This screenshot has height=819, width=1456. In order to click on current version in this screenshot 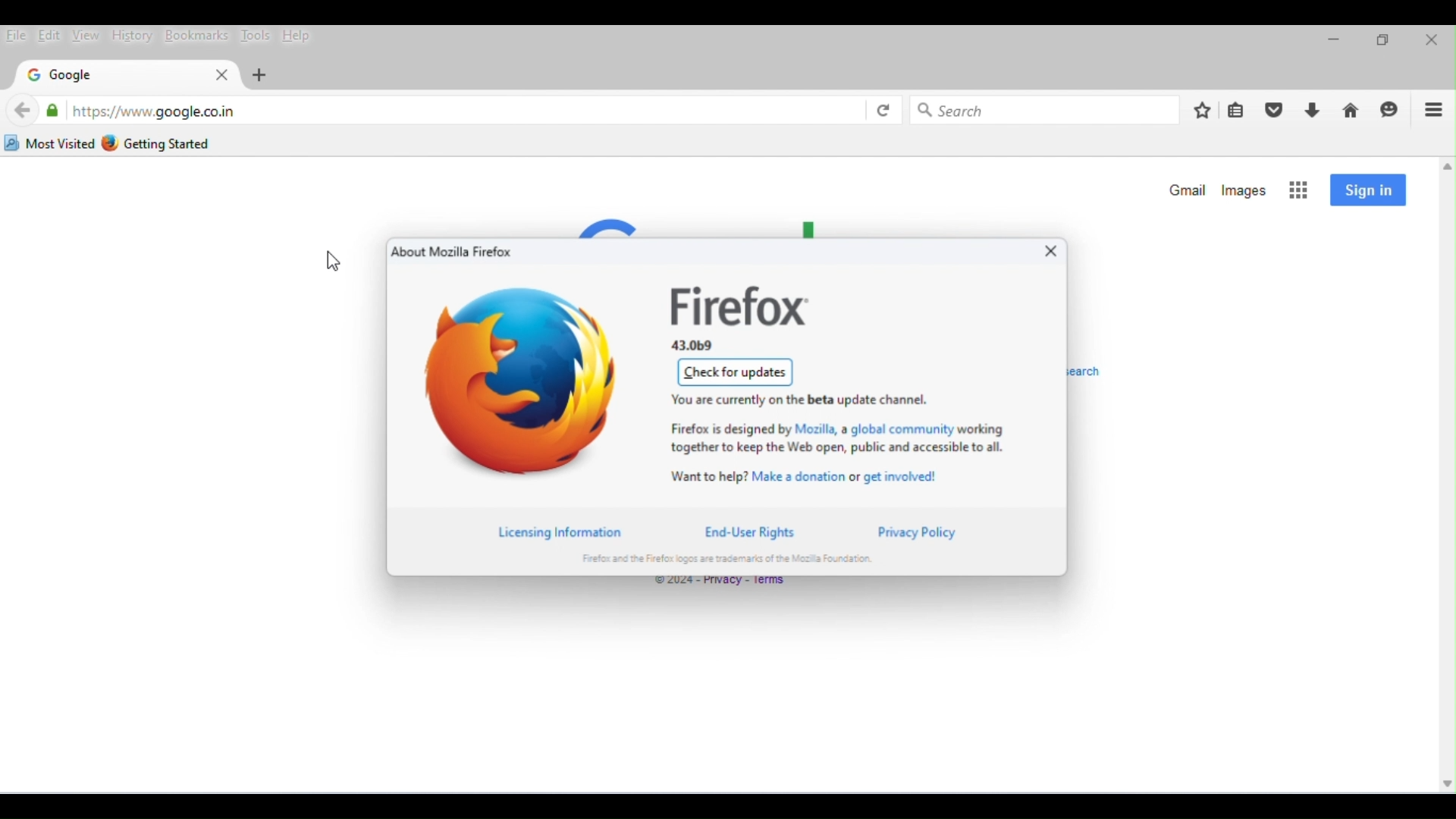, I will do `click(695, 347)`.